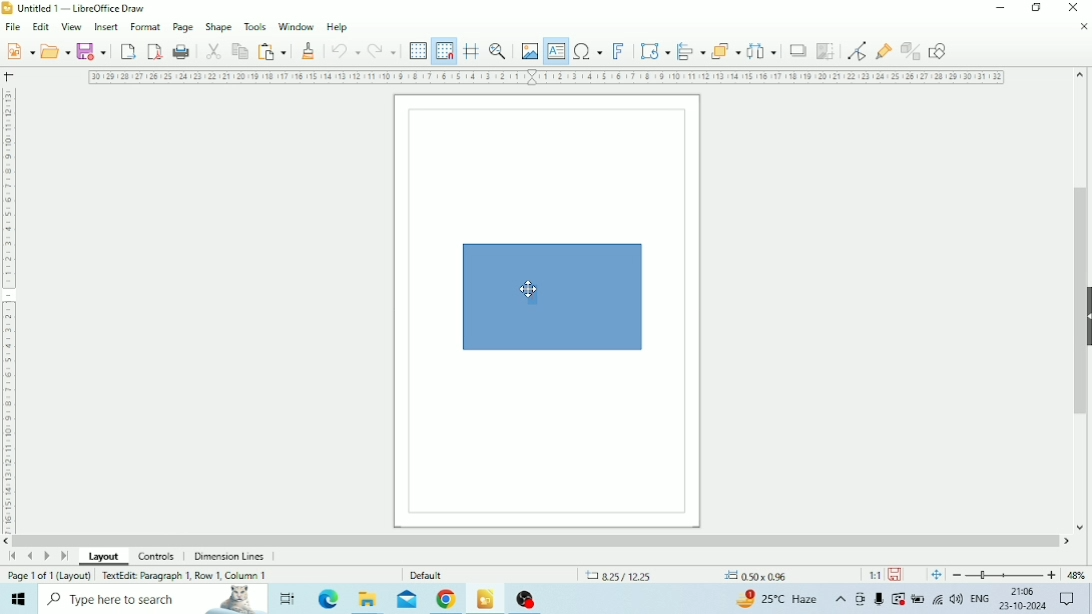  Describe the element at coordinates (498, 52) in the screenshot. I see `Zoom & Pan` at that location.